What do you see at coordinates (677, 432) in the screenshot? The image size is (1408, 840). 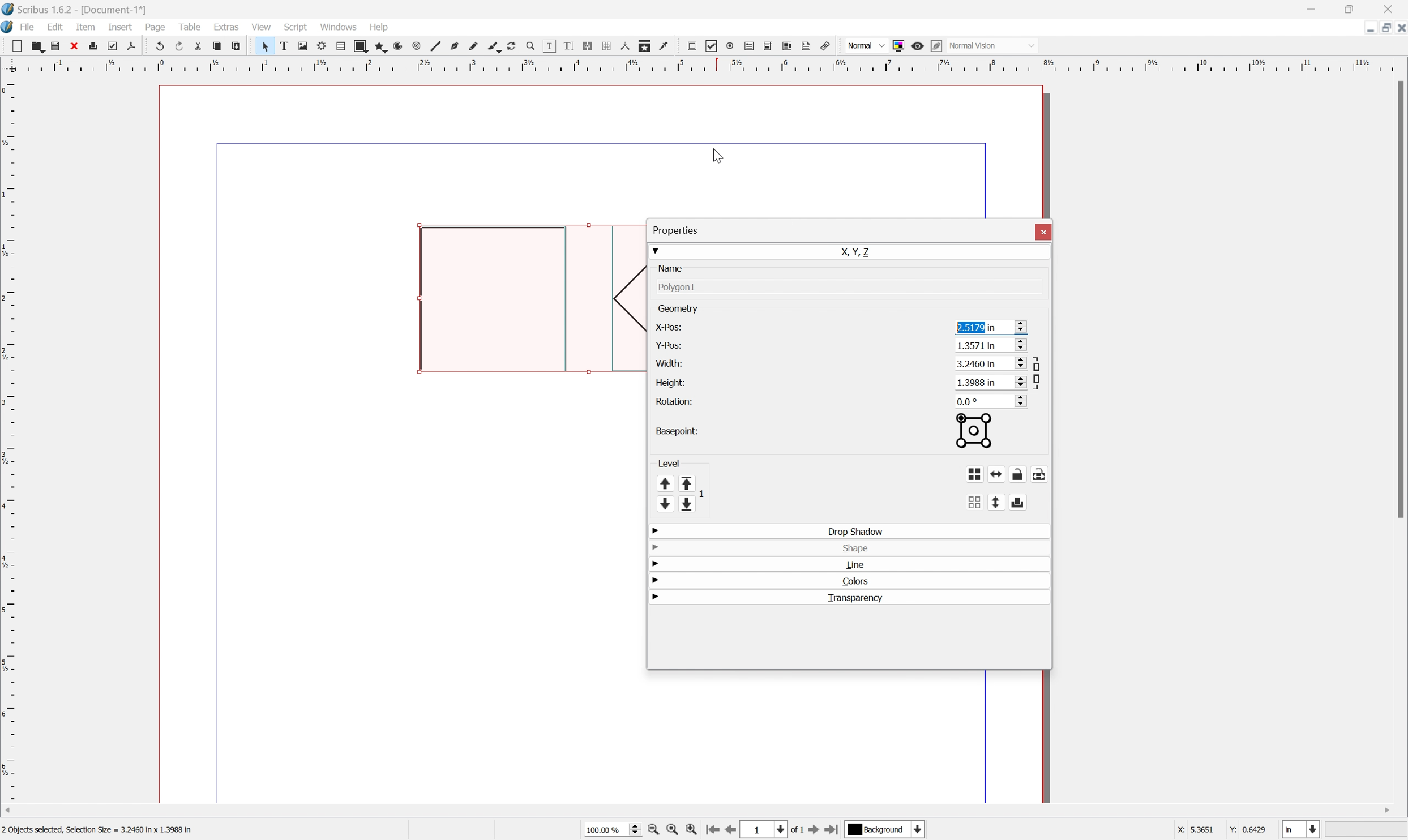 I see `basepoint` at bounding box center [677, 432].